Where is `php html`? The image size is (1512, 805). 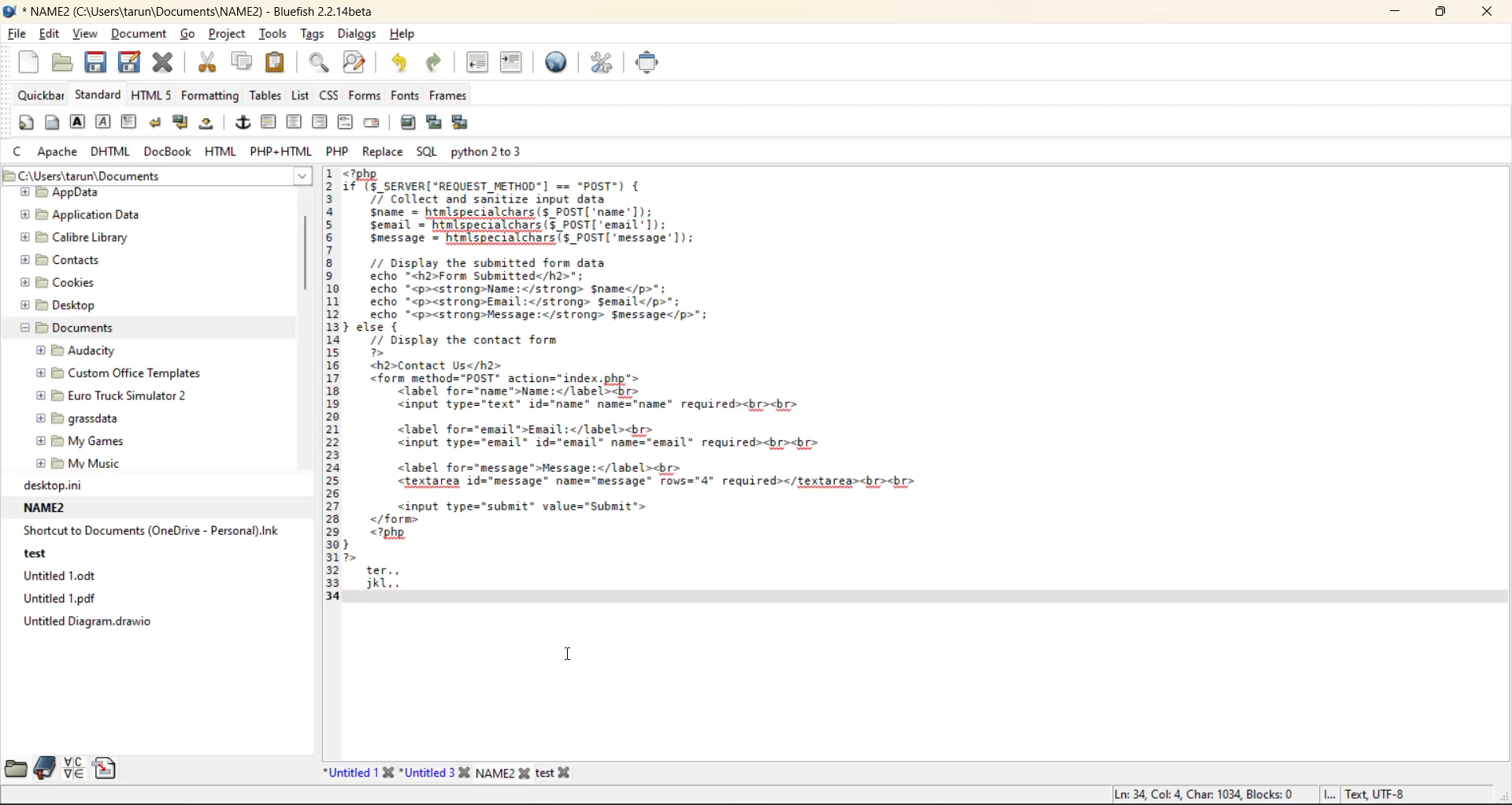 php html is located at coordinates (283, 151).